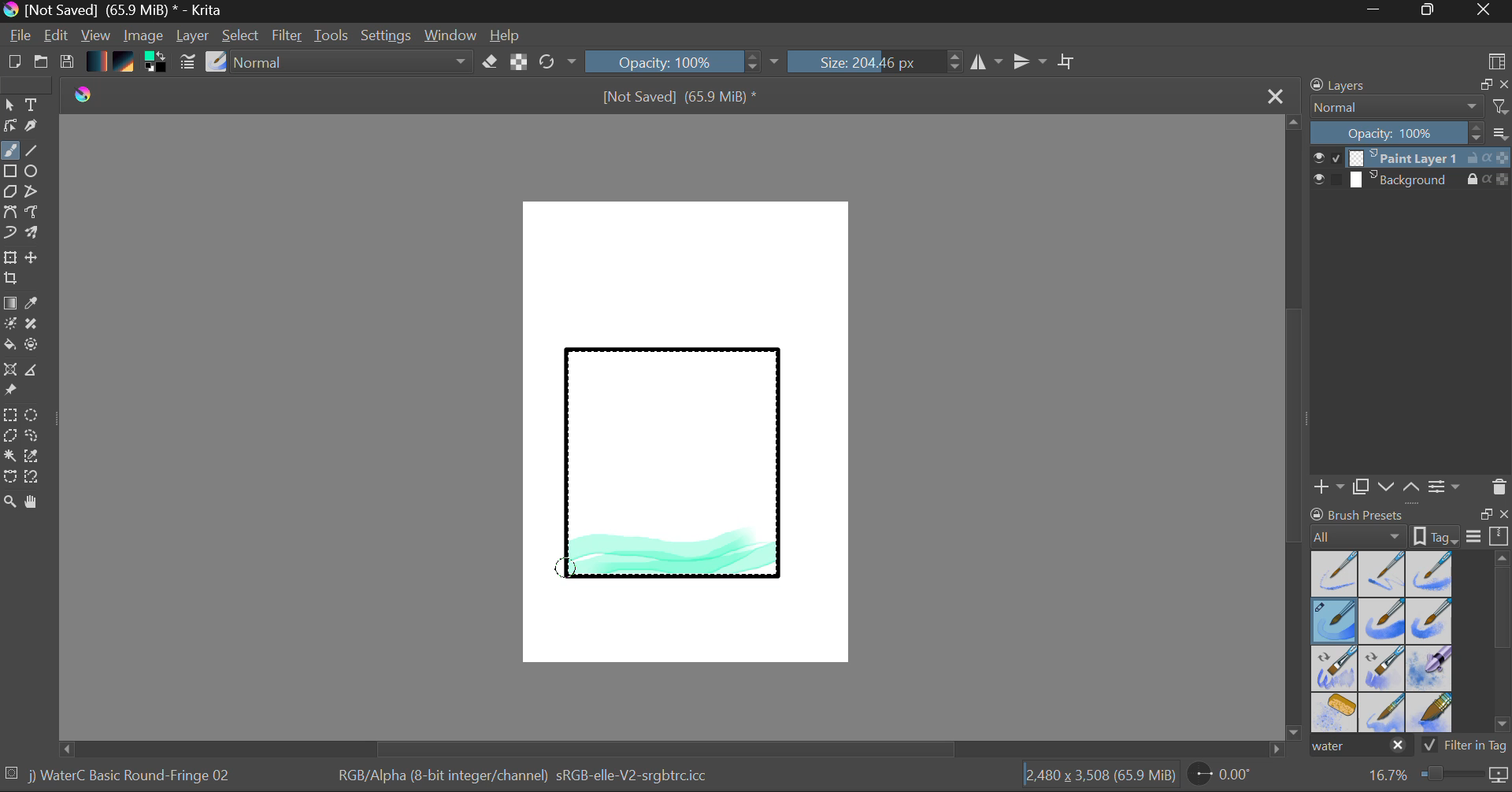 Image resolution: width=1512 pixels, height=792 pixels. What do you see at coordinates (506, 35) in the screenshot?
I see `Help` at bounding box center [506, 35].